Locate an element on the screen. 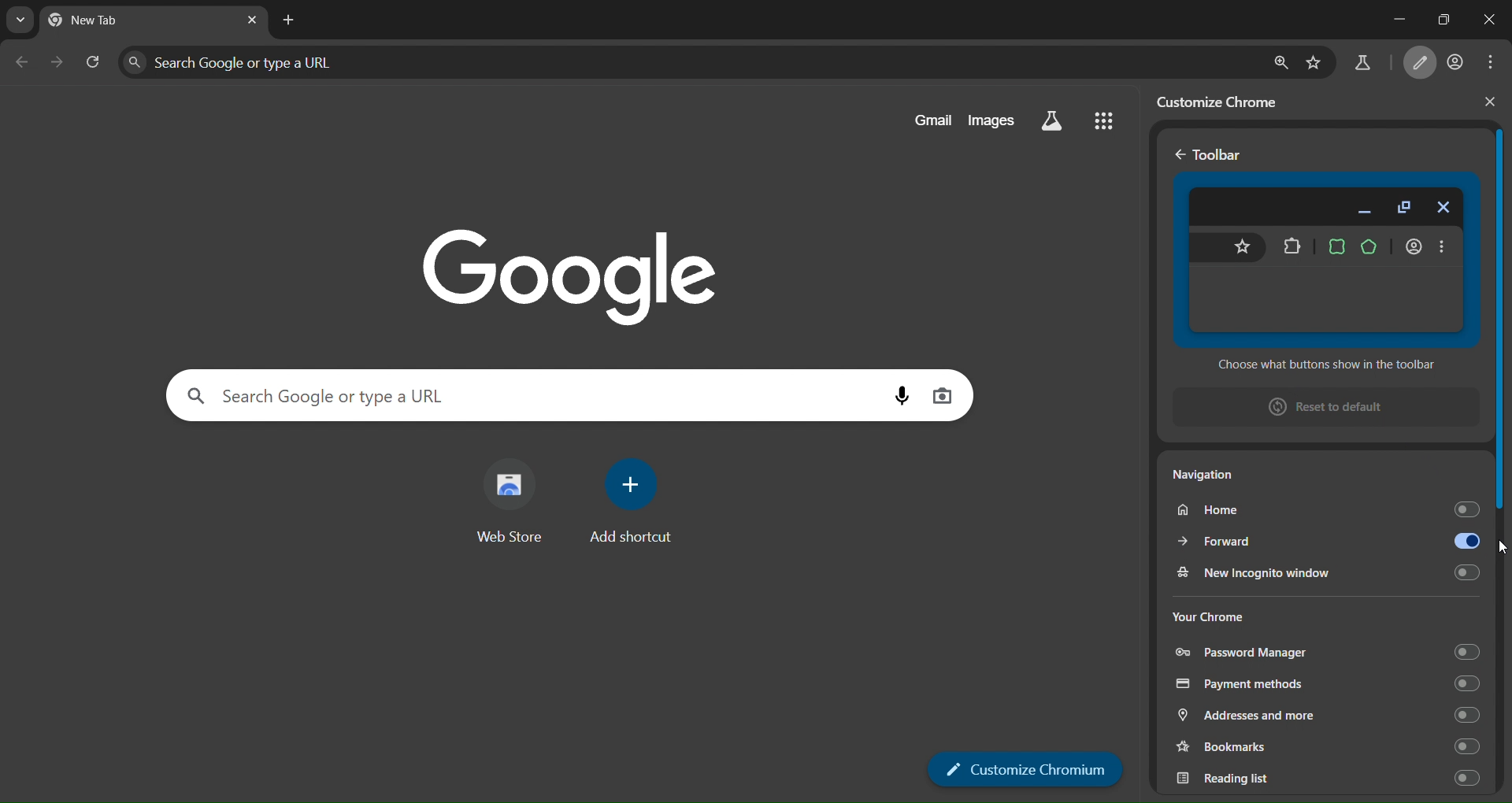  menu is located at coordinates (1495, 62).